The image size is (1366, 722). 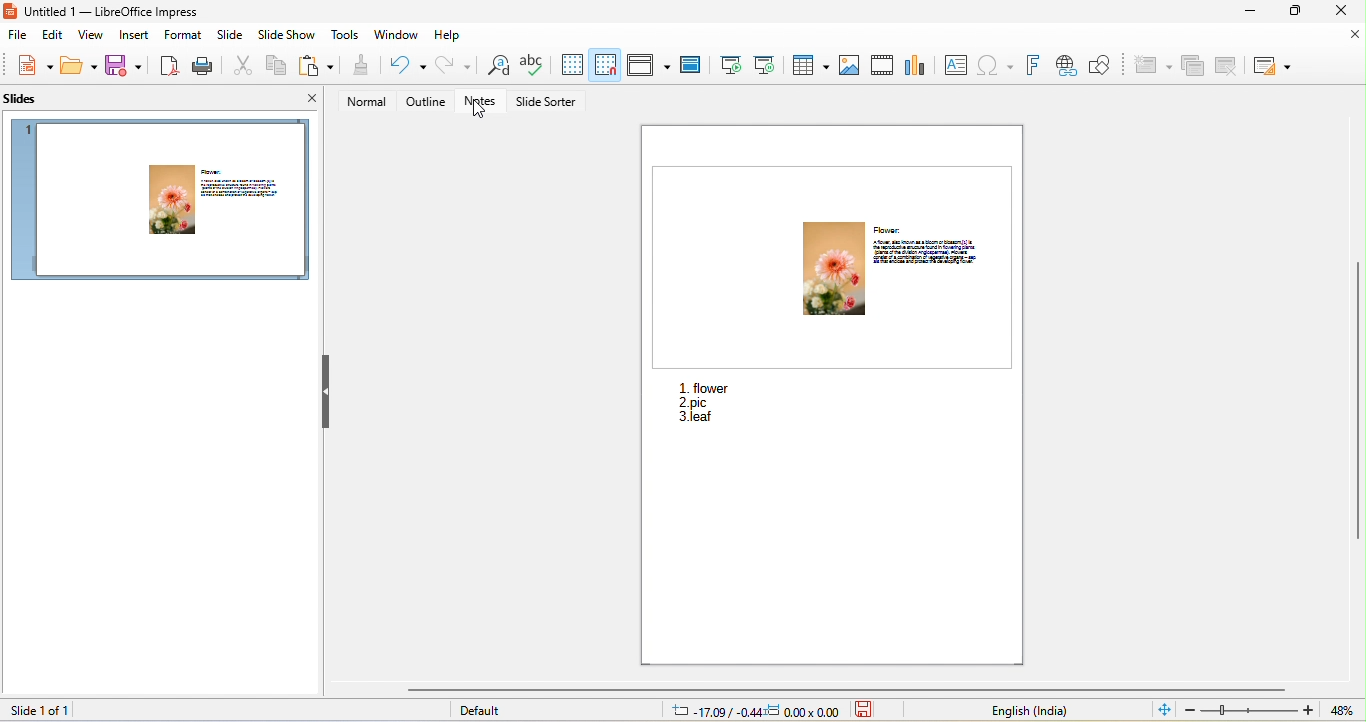 I want to click on -17.09/-0.44, so click(x=712, y=711).